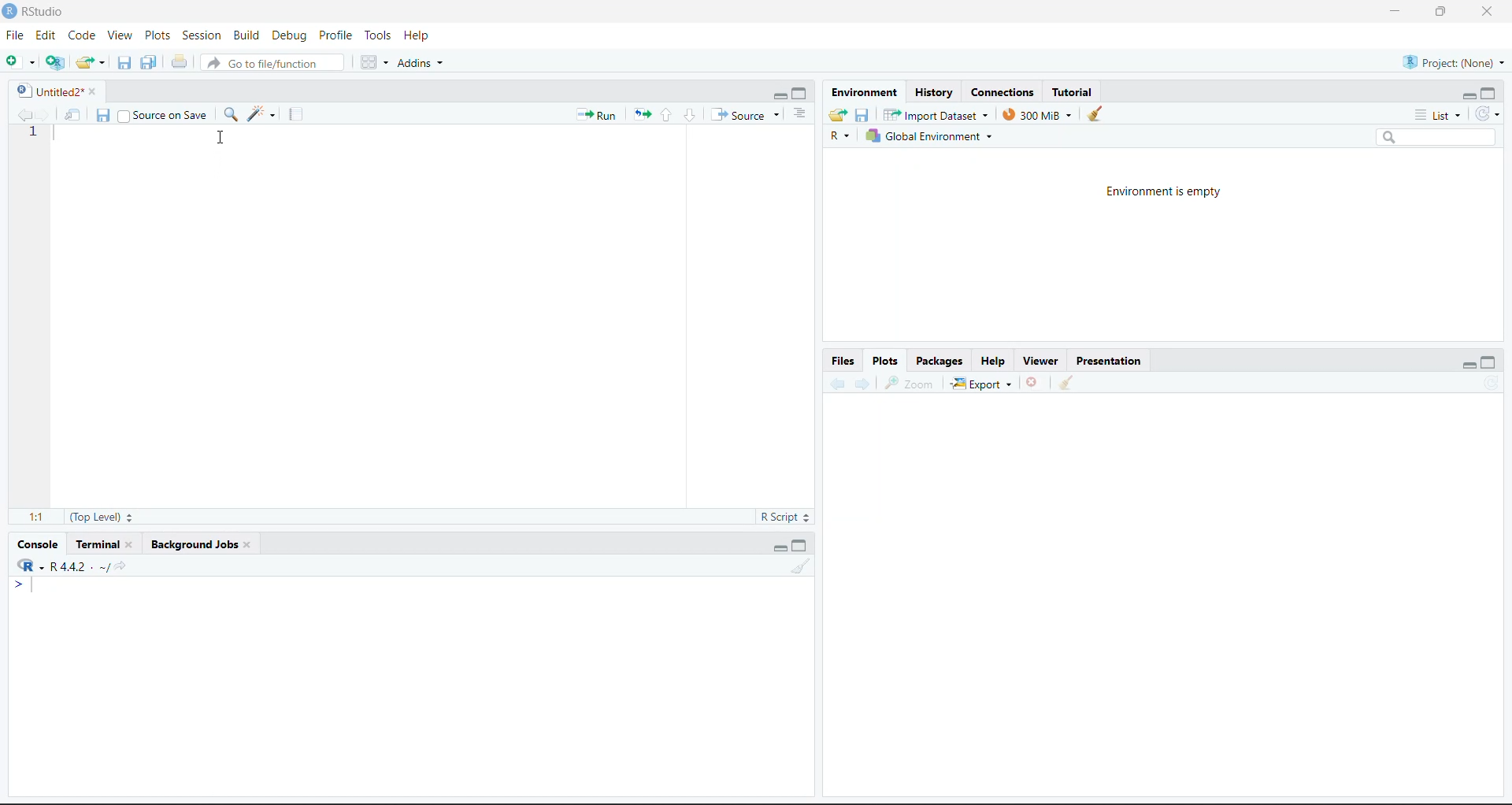 This screenshot has width=1512, height=805. Describe the element at coordinates (802, 95) in the screenshot. I see `hide console` at that location.